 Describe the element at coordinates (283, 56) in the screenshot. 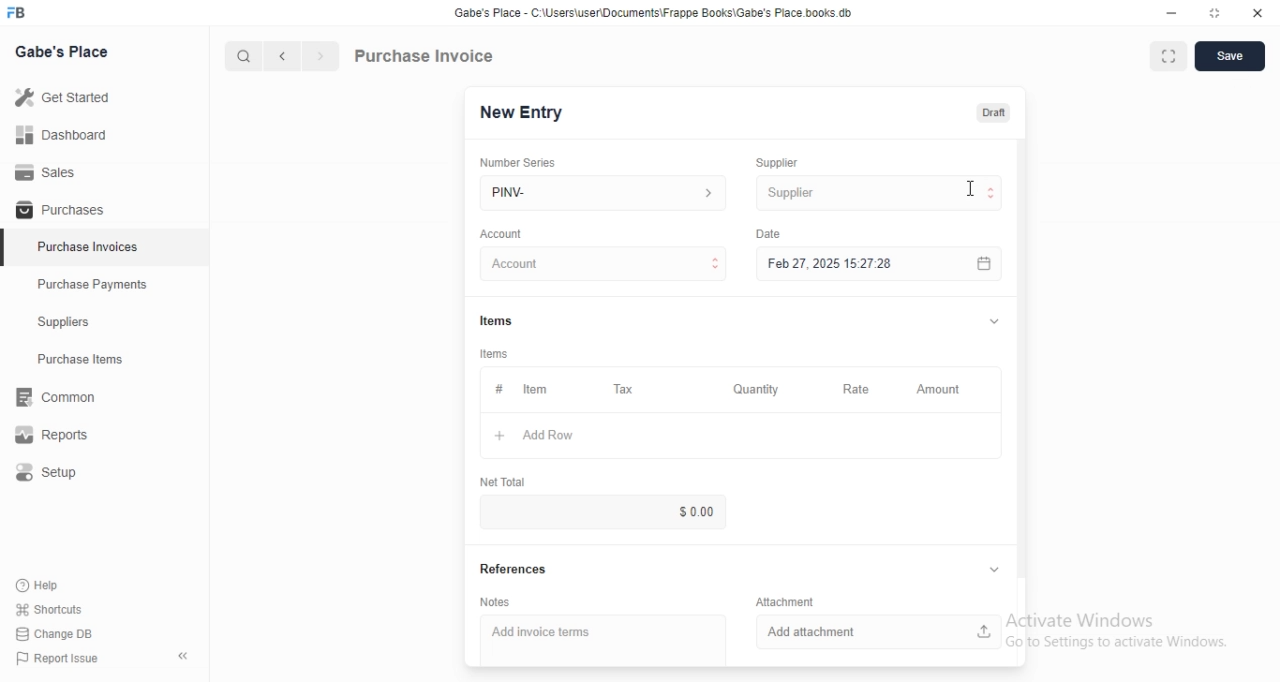

I see `Previous button` at that location.